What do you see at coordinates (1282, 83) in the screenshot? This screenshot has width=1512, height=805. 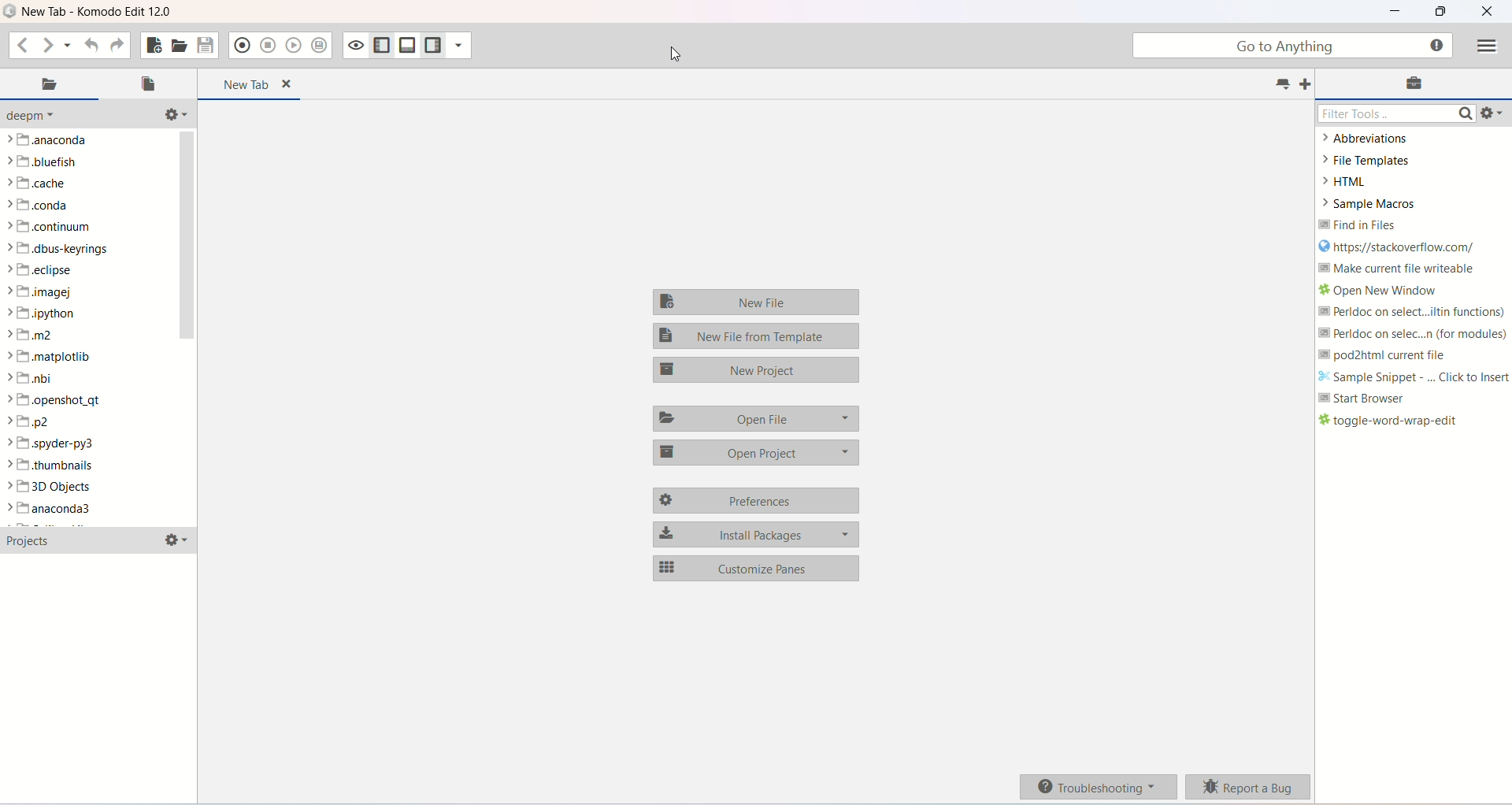 I see `list tabs` at bounding box center [1282, 83].